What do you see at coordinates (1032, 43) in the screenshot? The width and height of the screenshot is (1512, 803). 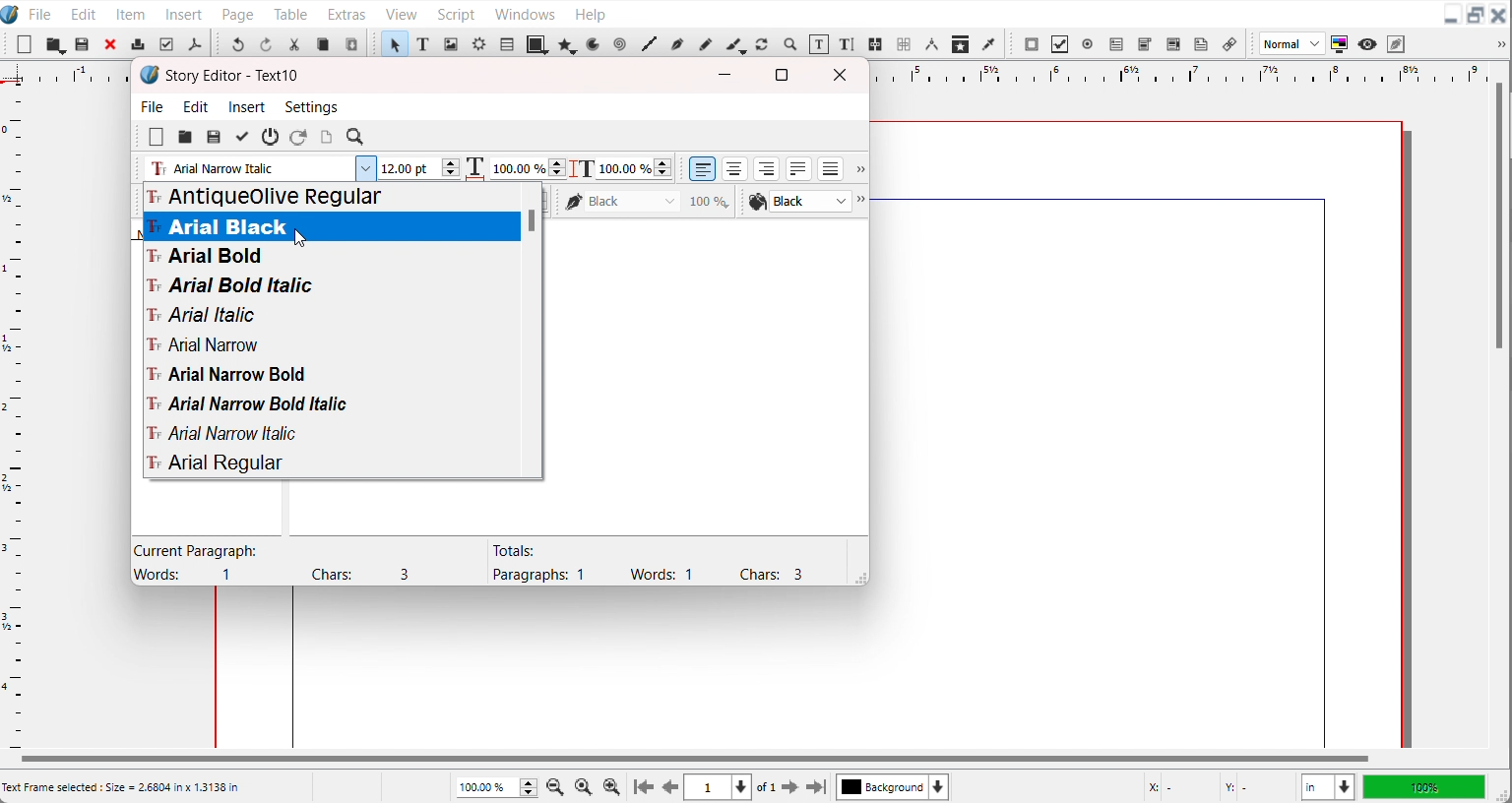 I see `PDF Push button` at bounding box center [1032, 43].